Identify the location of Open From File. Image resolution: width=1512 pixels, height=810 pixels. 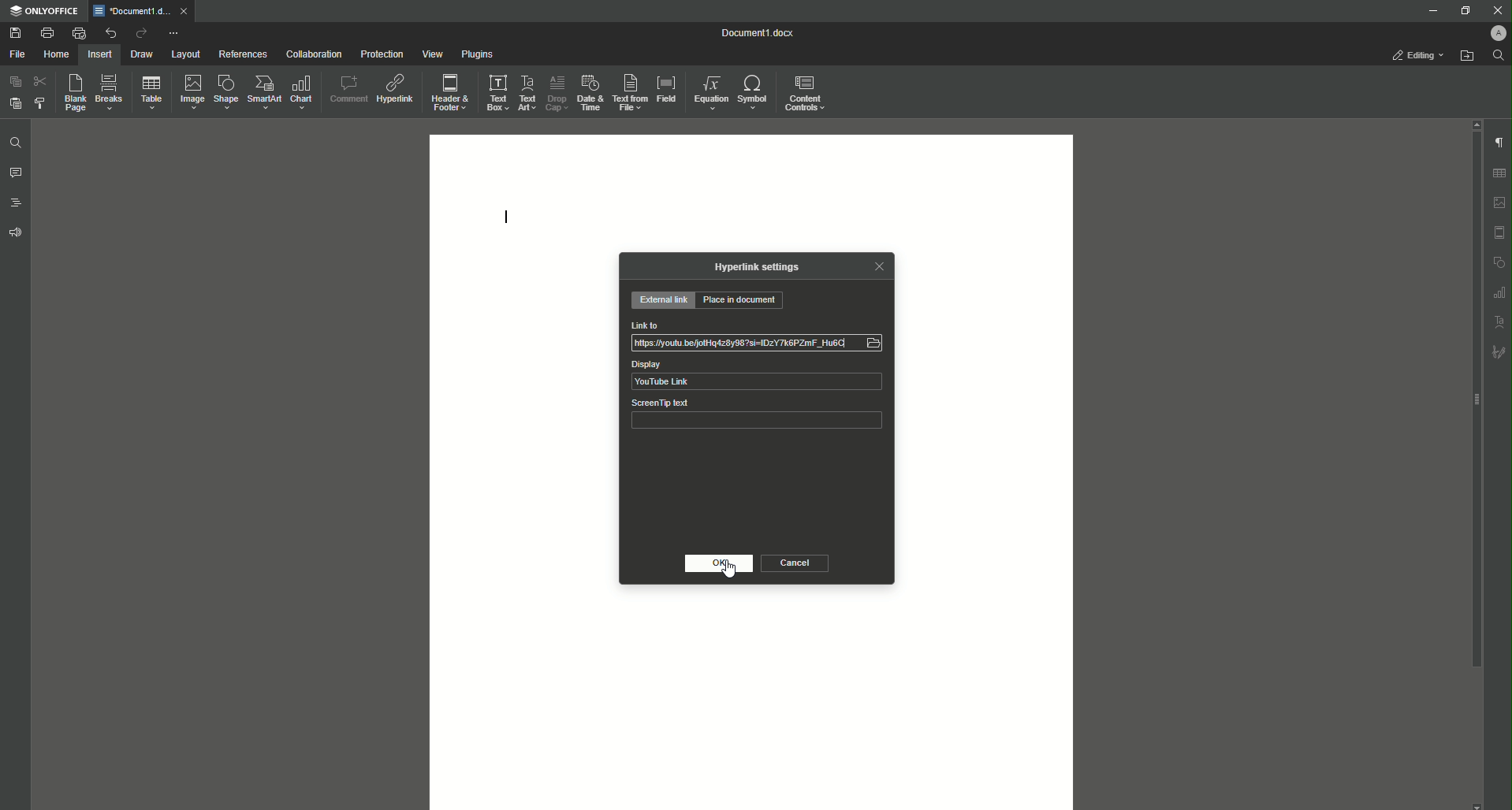
(1467, 58).